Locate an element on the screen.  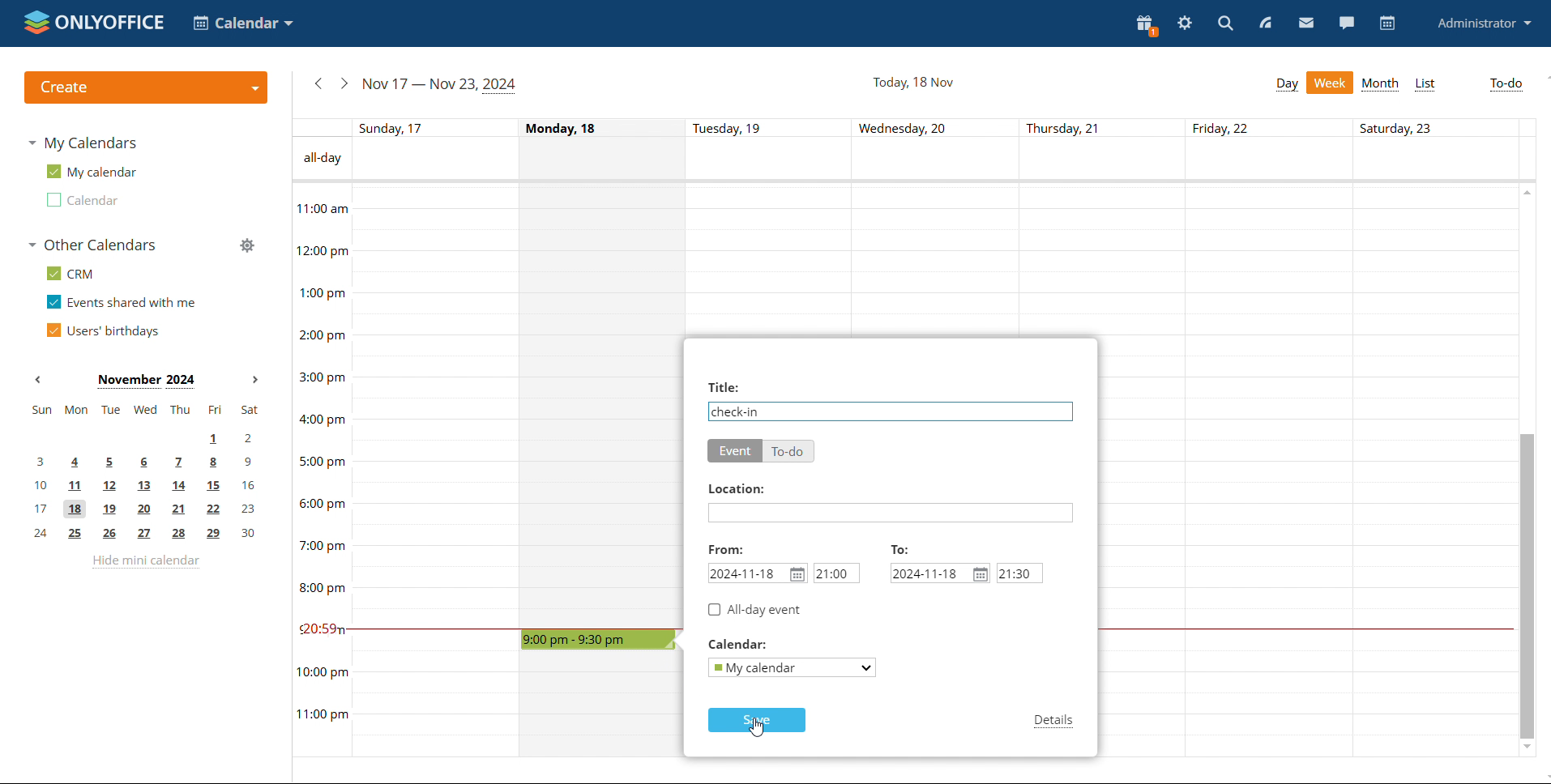
save is located at coordinates (756, 720).